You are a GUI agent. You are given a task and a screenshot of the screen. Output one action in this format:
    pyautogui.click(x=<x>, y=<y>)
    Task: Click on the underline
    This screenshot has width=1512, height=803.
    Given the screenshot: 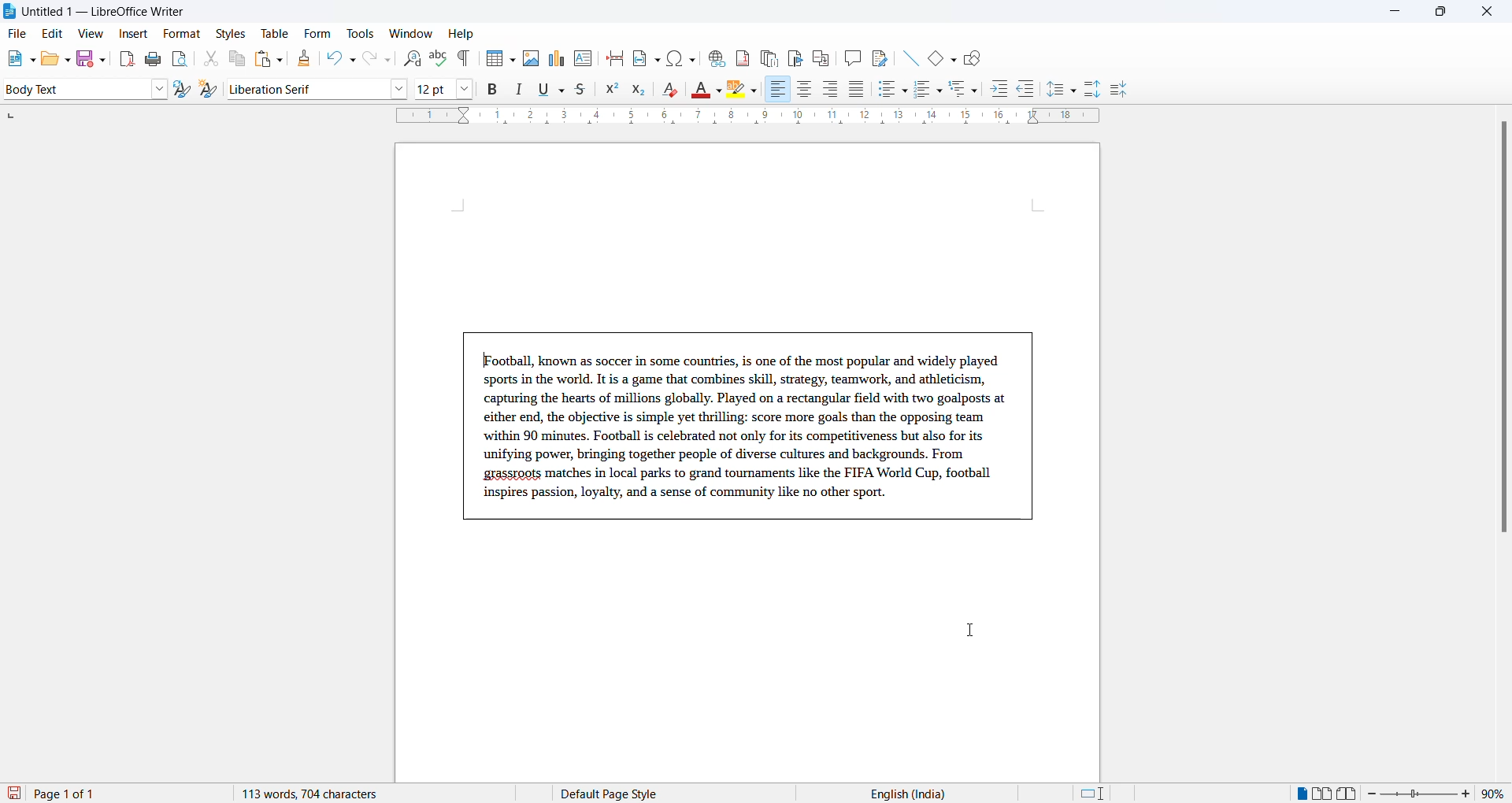 What is the action you would take?
    pyautogui.click(x=552, y=89)
    